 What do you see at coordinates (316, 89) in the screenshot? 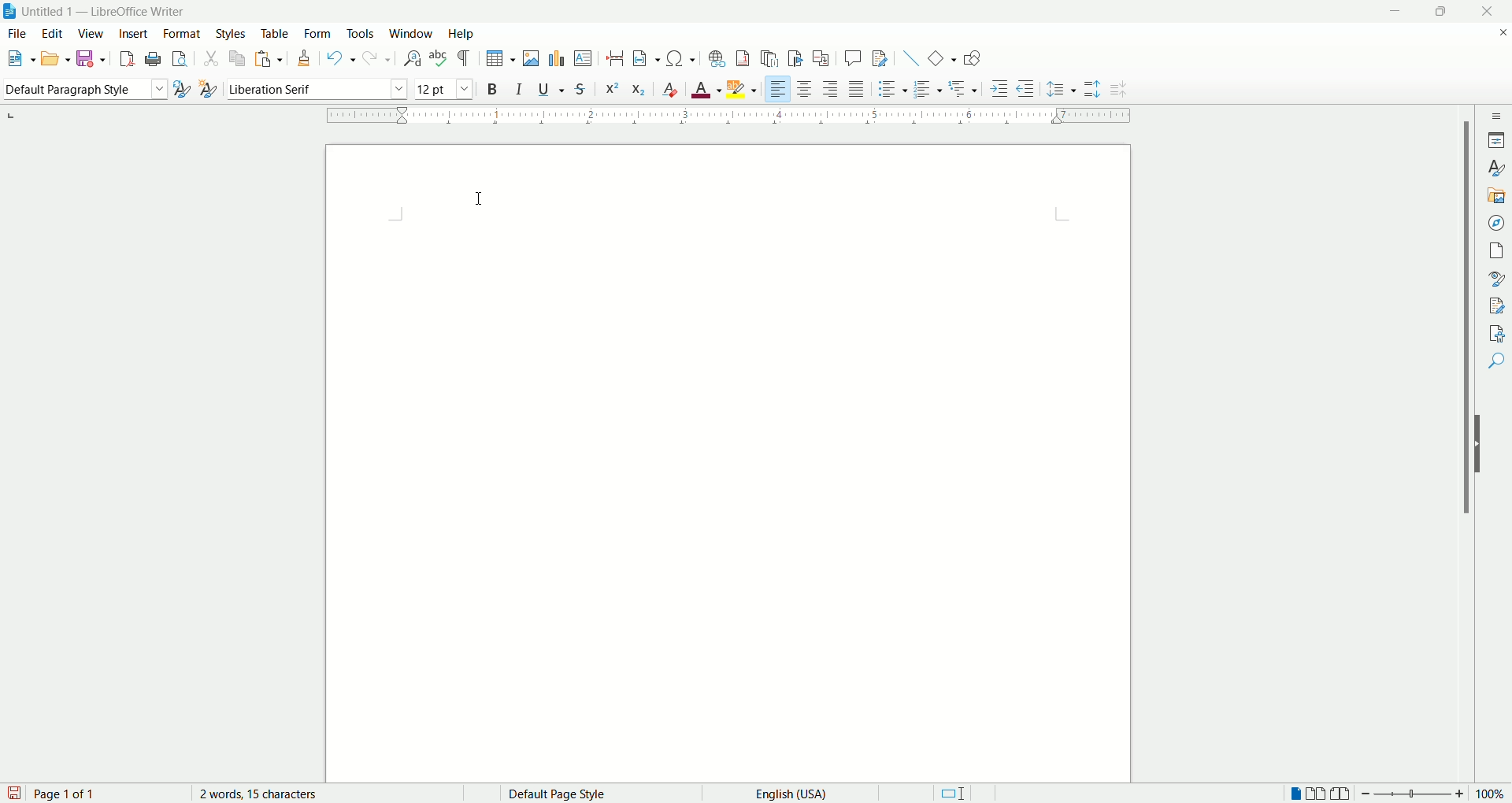
I see `font name` at bounding box center [316, 89].